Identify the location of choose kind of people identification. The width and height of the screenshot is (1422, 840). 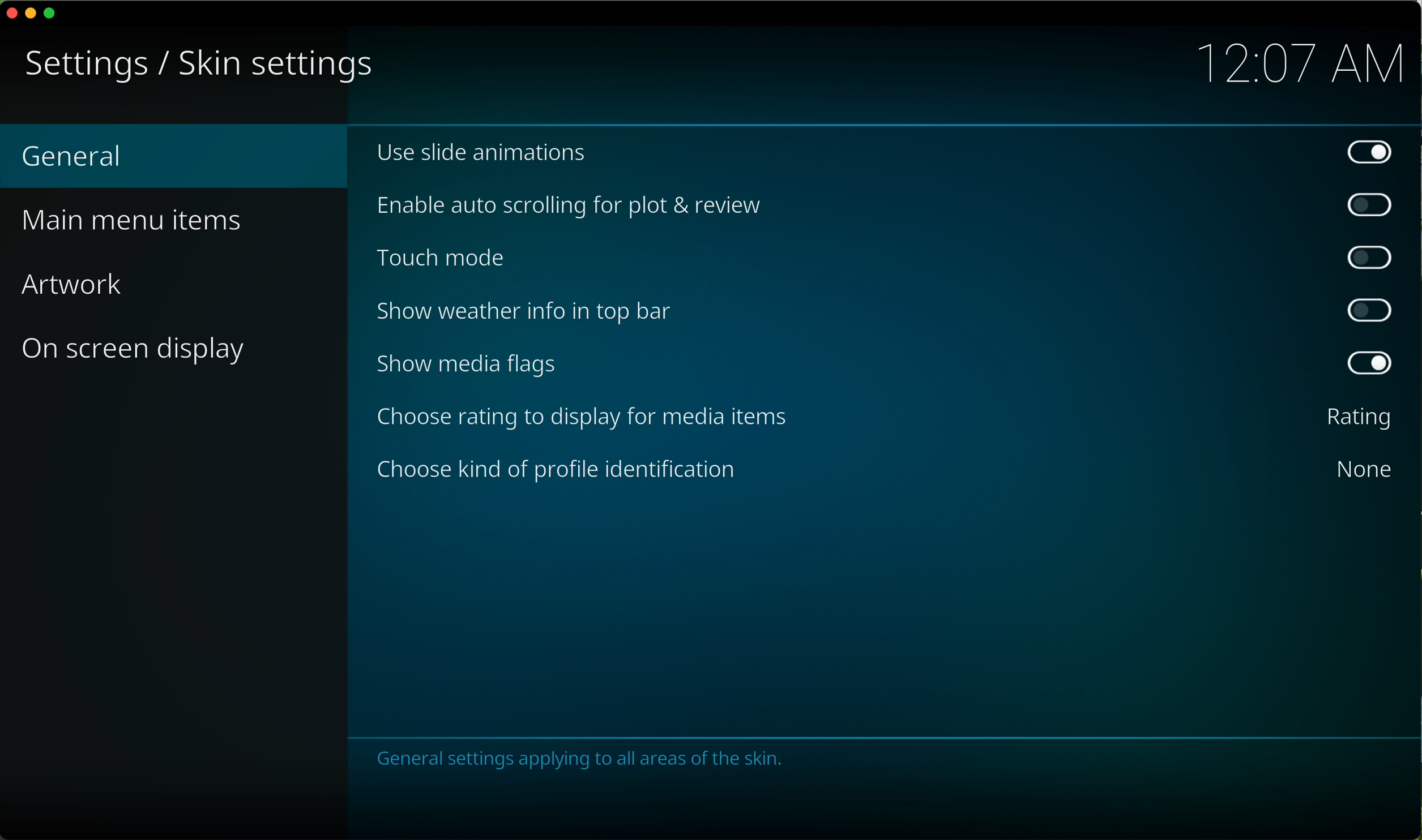
(885, 472).